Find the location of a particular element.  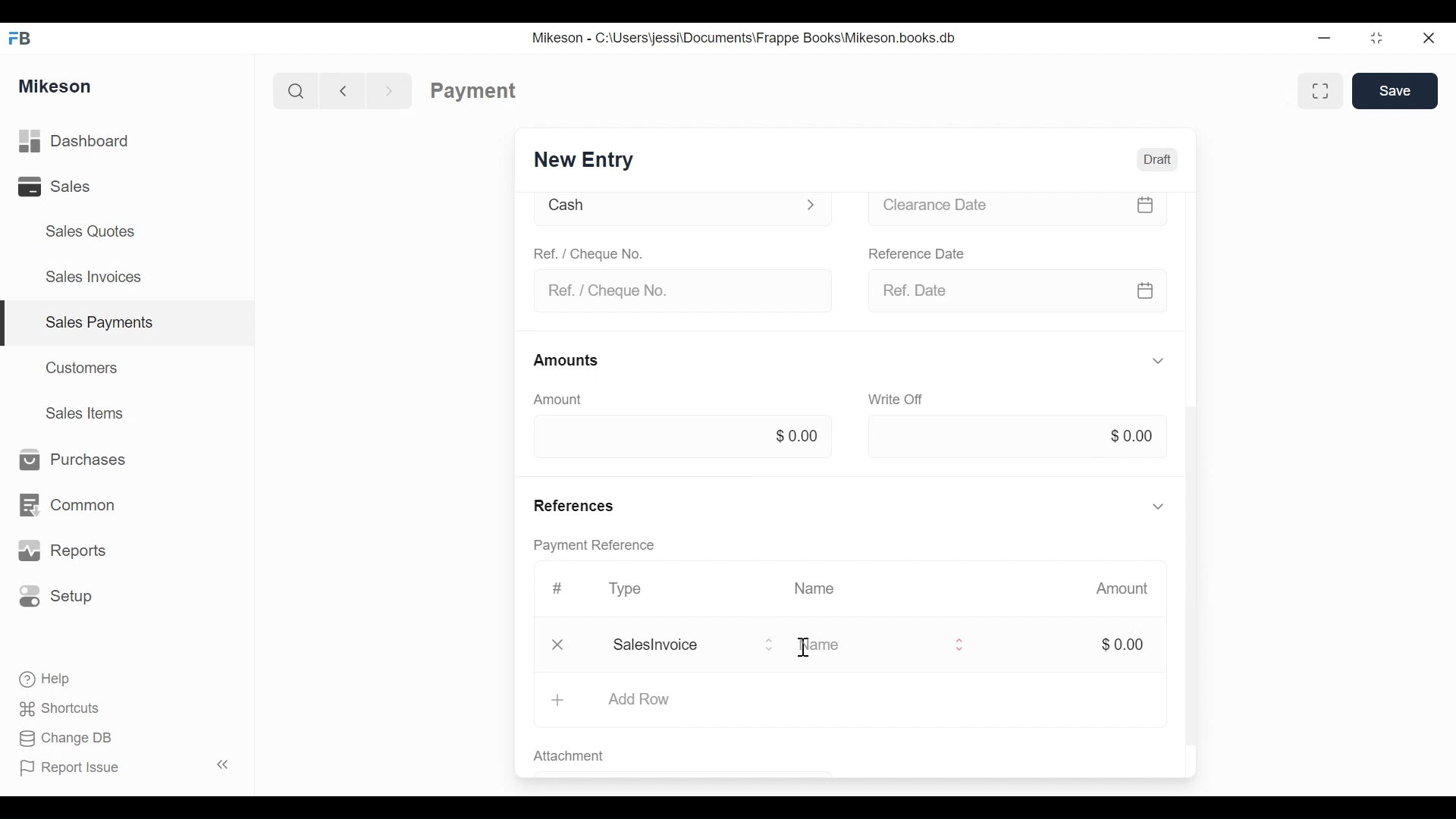

Mikeson - C:\Users\jessi\Documents\Frappe Books\Mikeson.books.db is located at coordinates (745, 38).